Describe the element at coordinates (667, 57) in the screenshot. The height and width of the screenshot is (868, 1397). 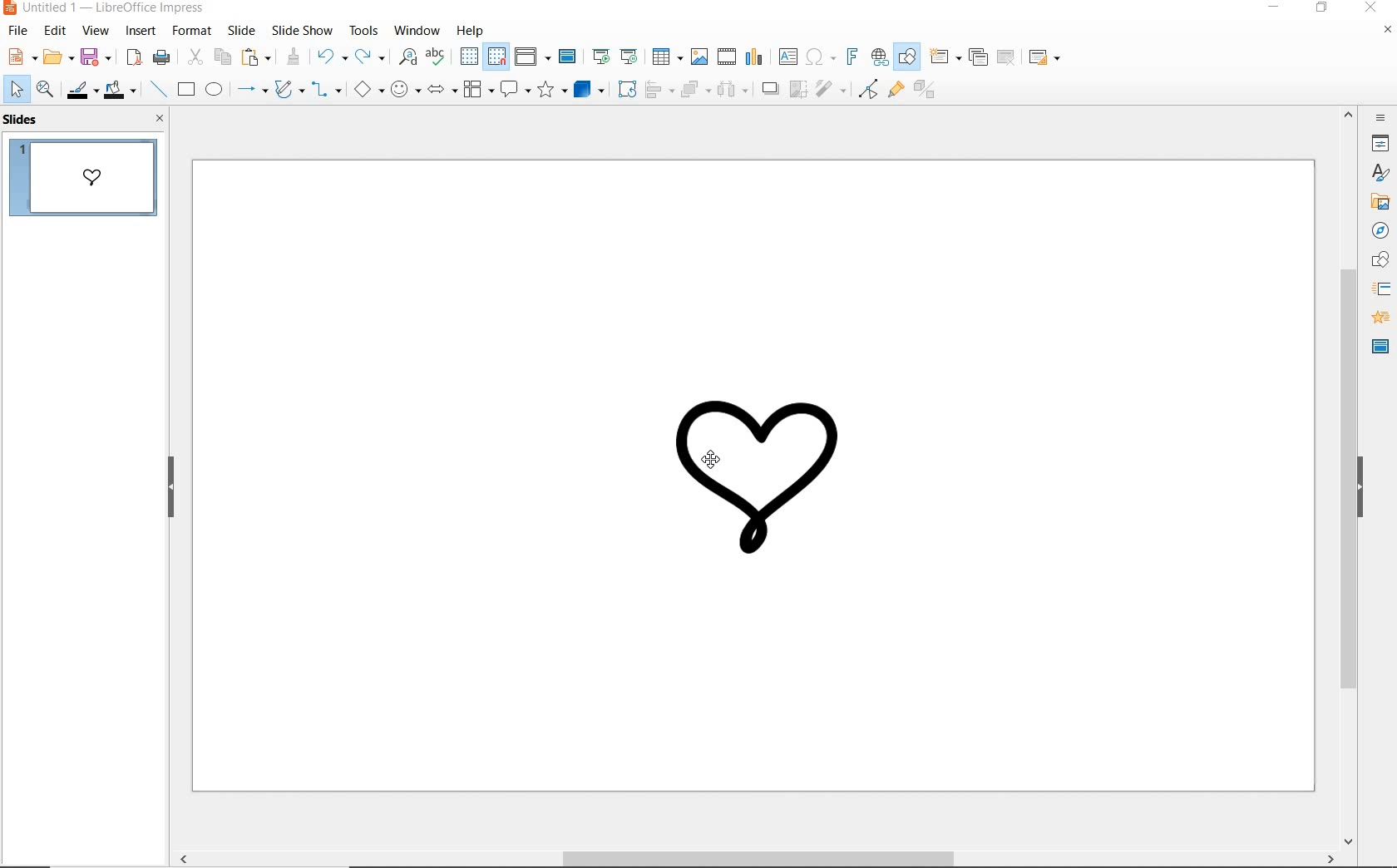
I see `insert table` at that location.